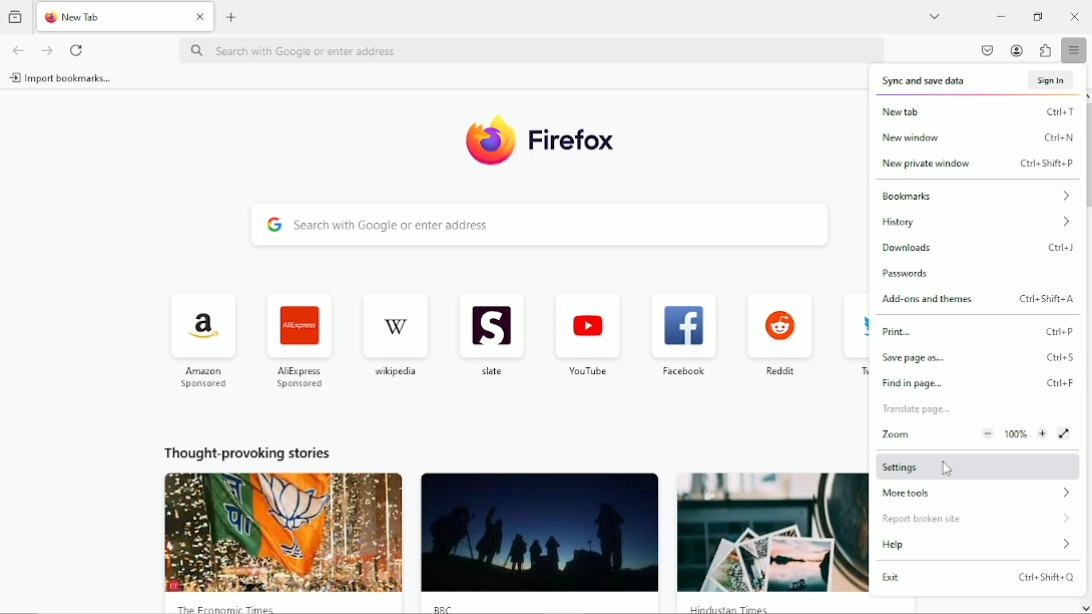 This screenshot has height=614, width=1092. I want to click on increase, so click(1041, 434).